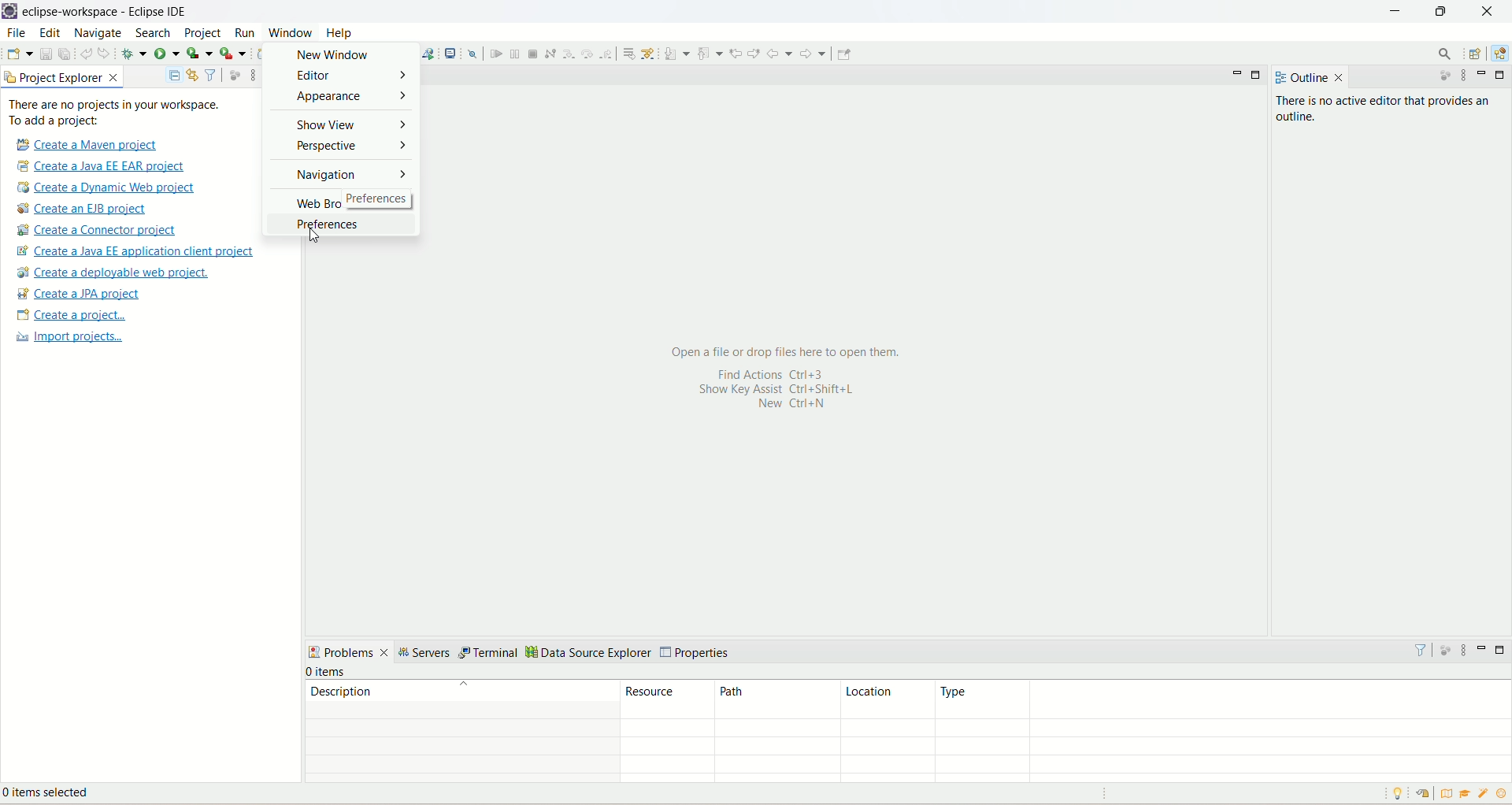 The image size is (1512, 805). I want to click on create a connector project, so click(99, 231).